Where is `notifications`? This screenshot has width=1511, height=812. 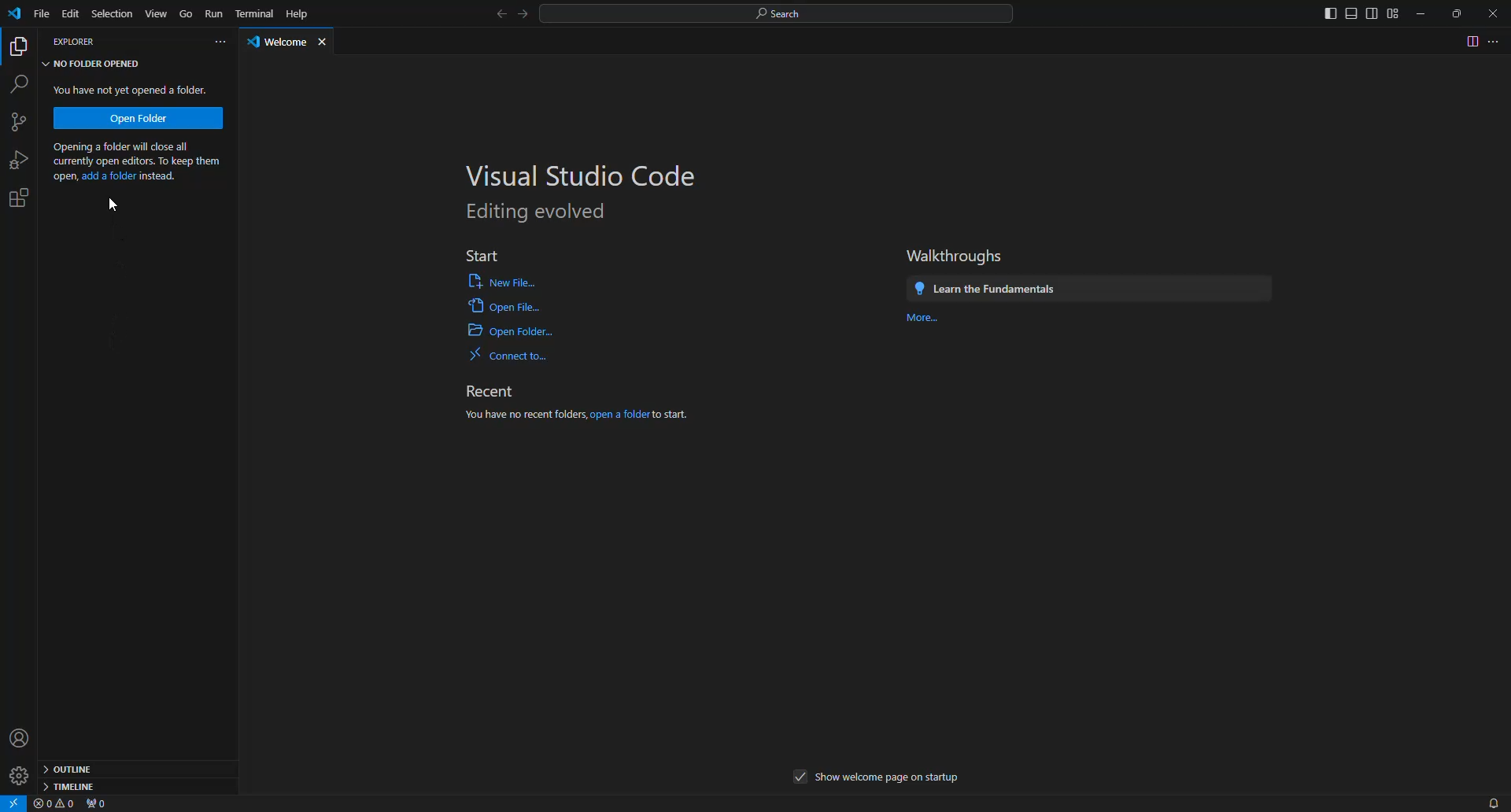
notifications is located at coordinates (1488, 802).